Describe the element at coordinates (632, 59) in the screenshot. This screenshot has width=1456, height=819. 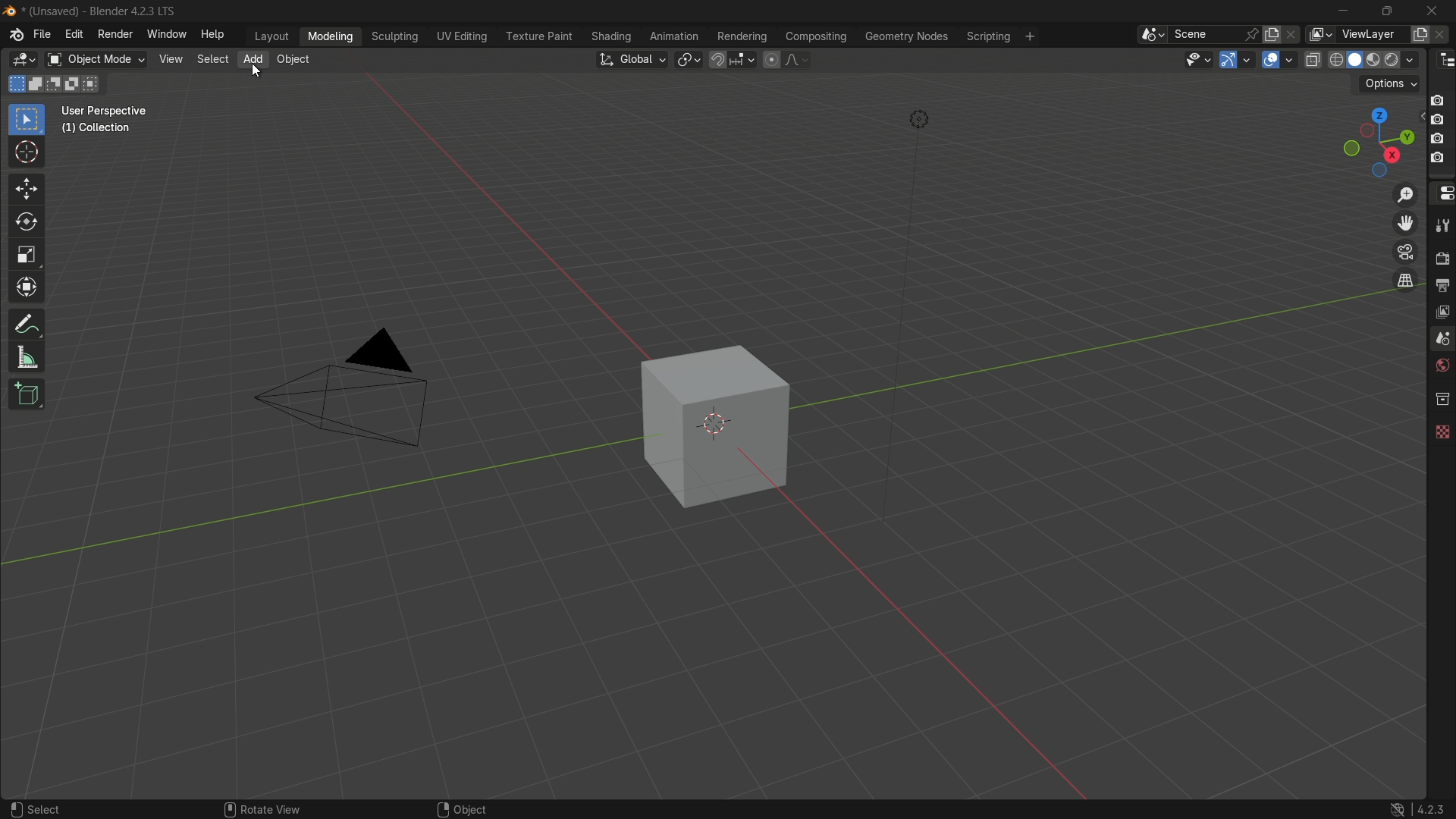
I see `transformation orientation` at that location.